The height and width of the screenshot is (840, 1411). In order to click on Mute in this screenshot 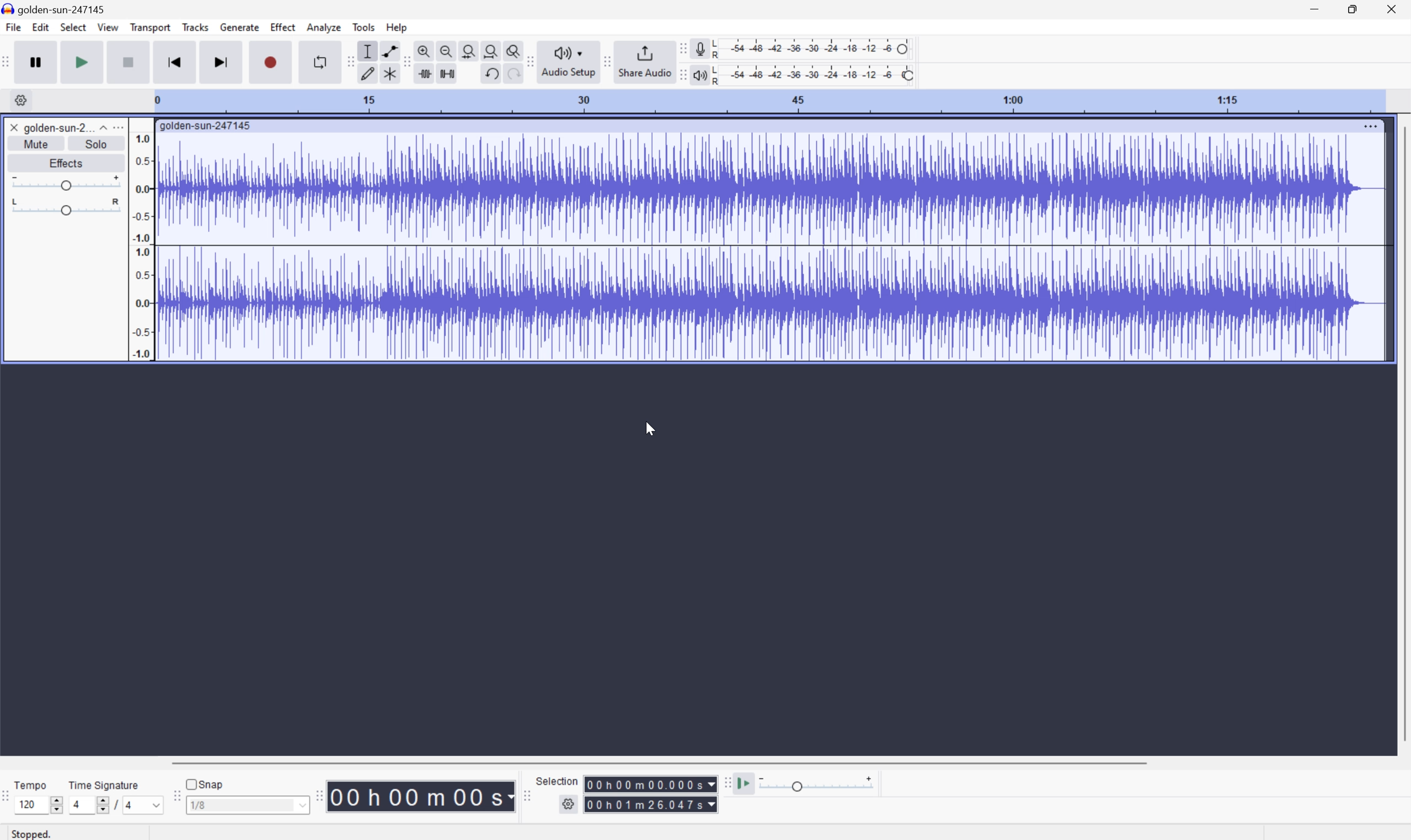, I will do `click(36, 144)`.